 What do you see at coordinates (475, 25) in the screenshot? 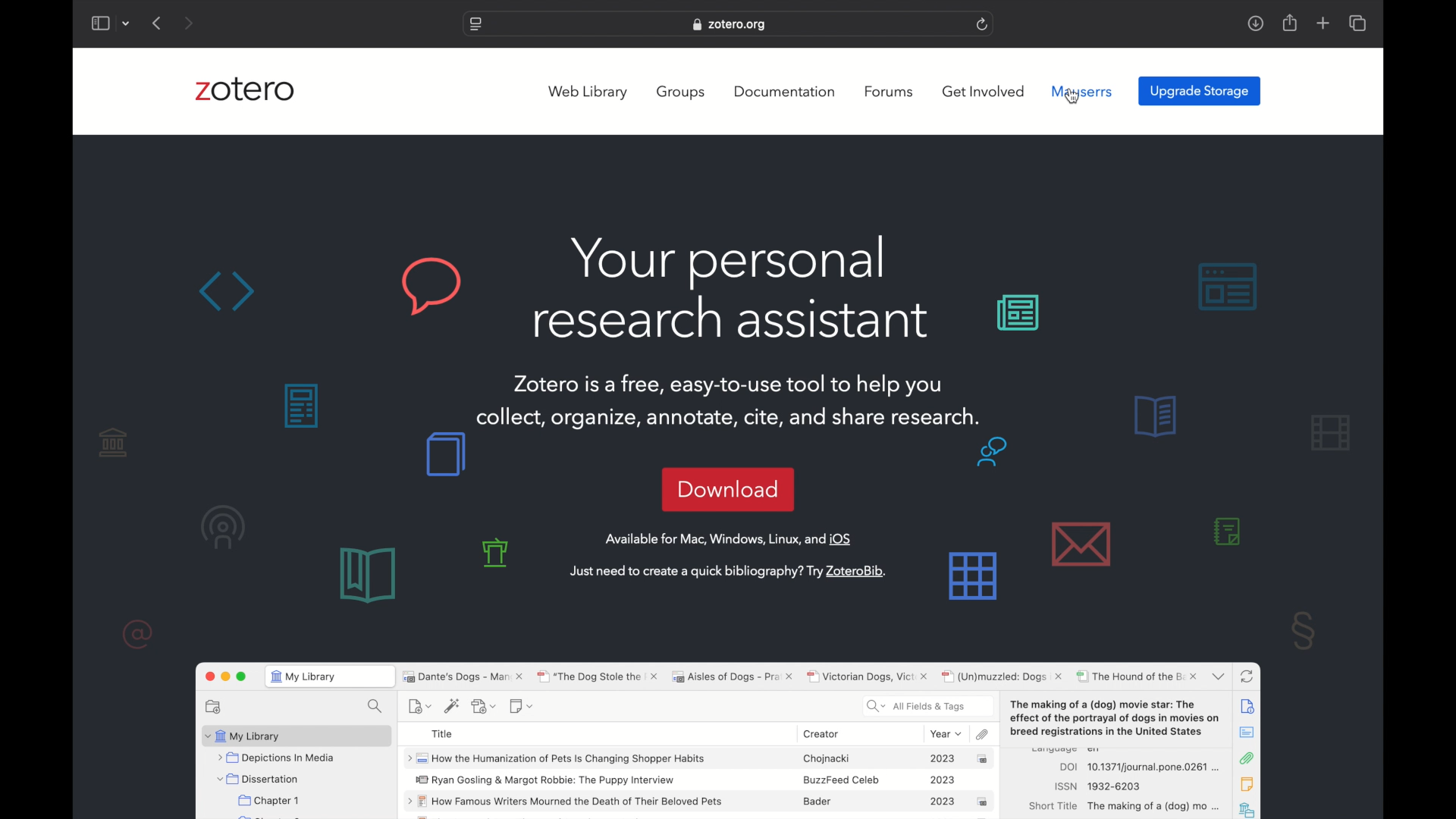
I see `website settings` at bounding box center [475, 25].